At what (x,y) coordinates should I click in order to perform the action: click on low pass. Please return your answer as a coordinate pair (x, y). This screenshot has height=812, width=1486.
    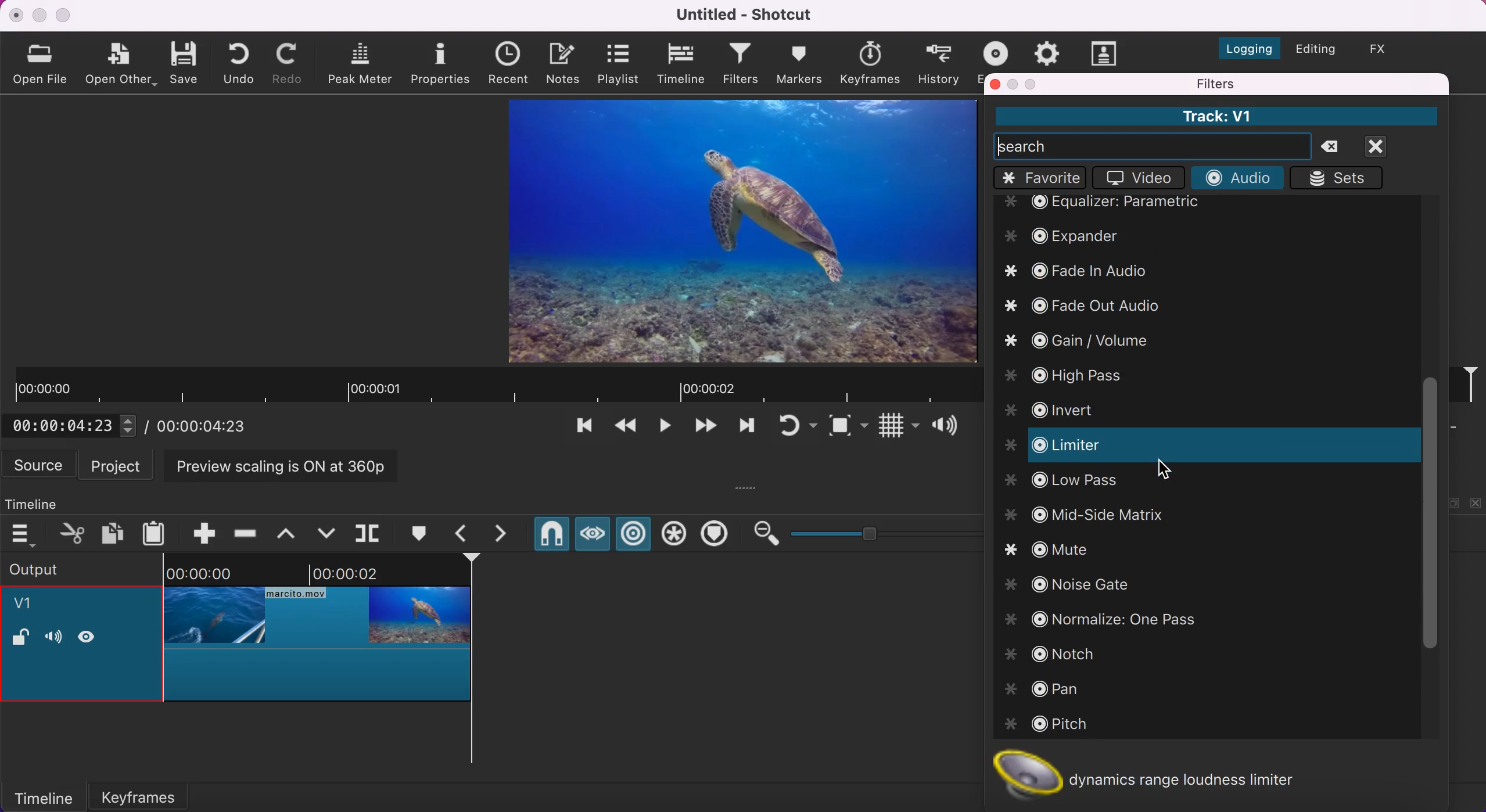
    Looking at the image, I should click on (1063, 483).